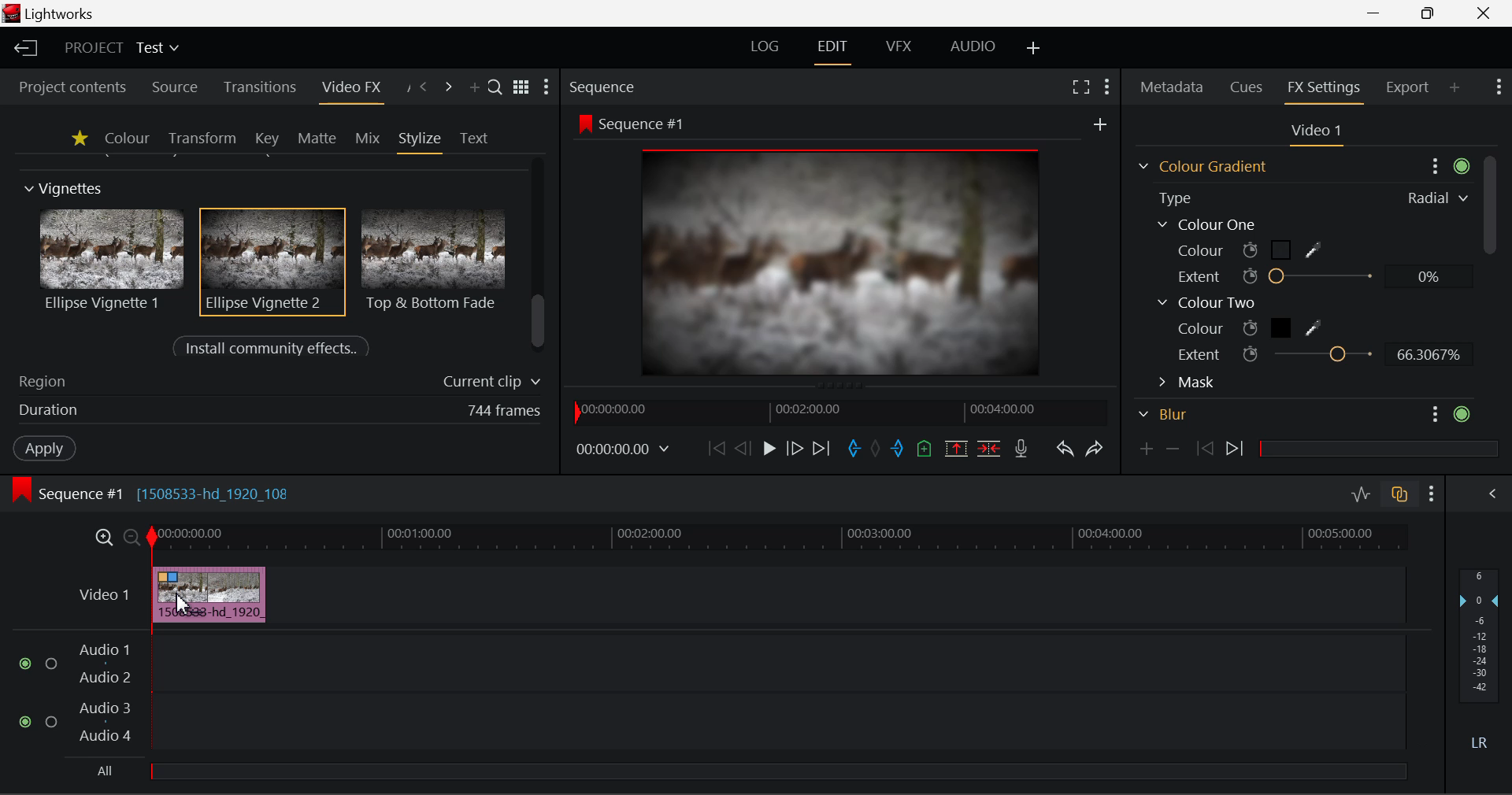 The image size is (1512, 795). What do you see at coordinates (496, 89) in the screenshot?
I see `Search` at bounding box center [496, 89].